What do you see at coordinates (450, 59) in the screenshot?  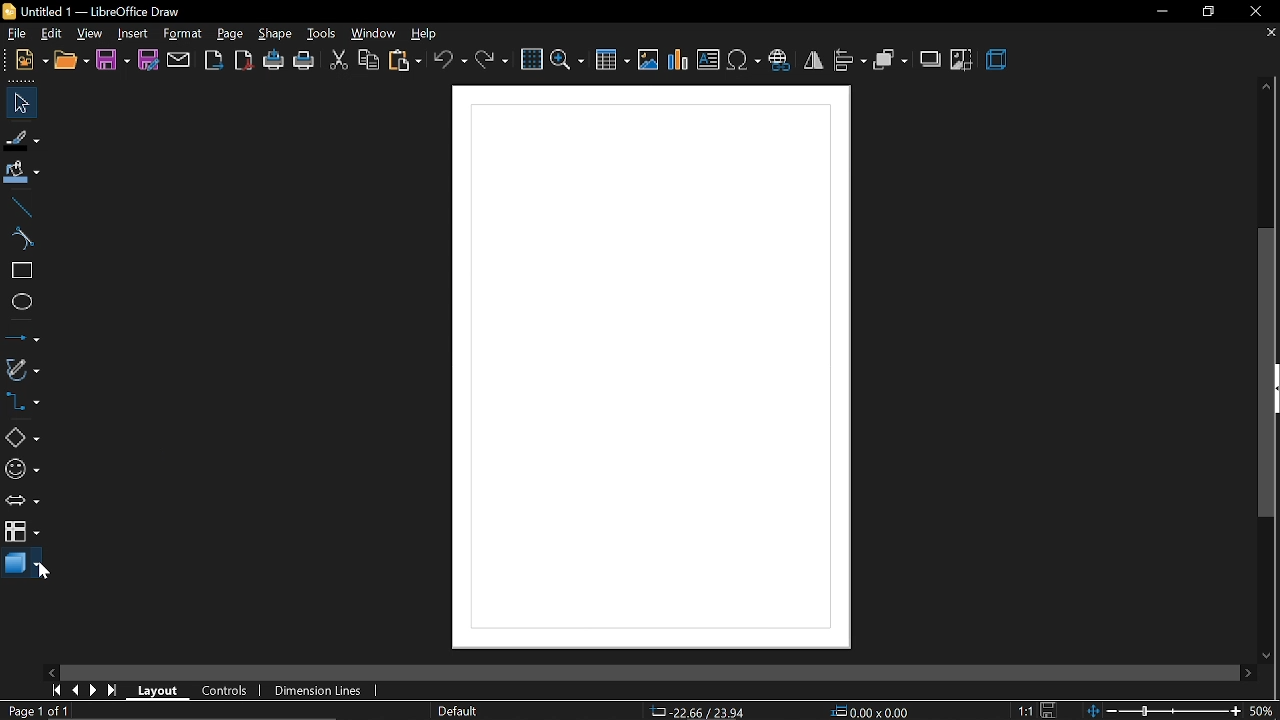 I see `undo` at bounding box center [450, 59].